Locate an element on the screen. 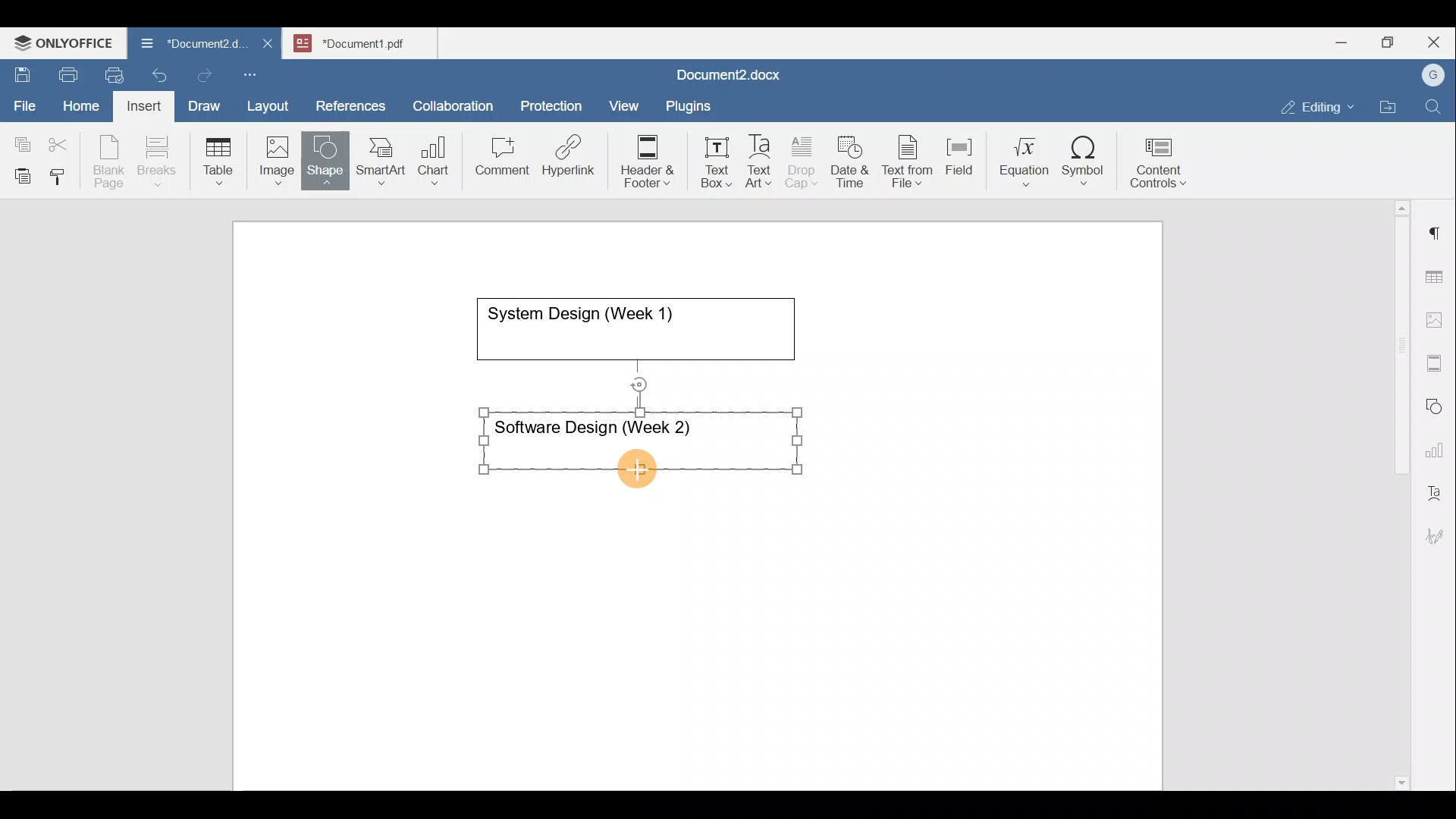 The image size is (1456, 819). Open file location is located at coordinates (1392, 108).